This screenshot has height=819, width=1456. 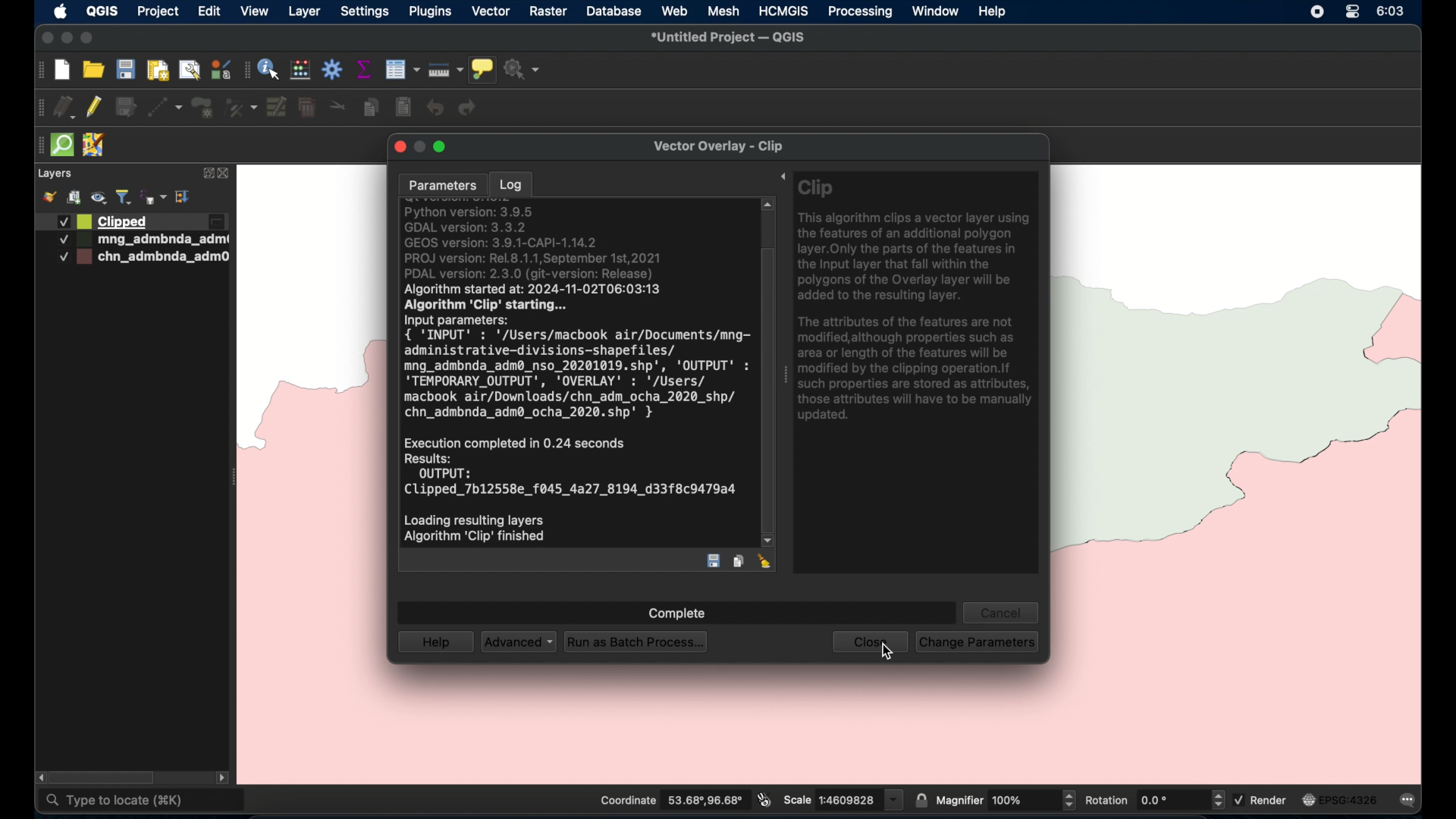 What do you see at coordinates (768, 389) in the screenshot?
I see `scroll box` at bounding box center [768, 389].